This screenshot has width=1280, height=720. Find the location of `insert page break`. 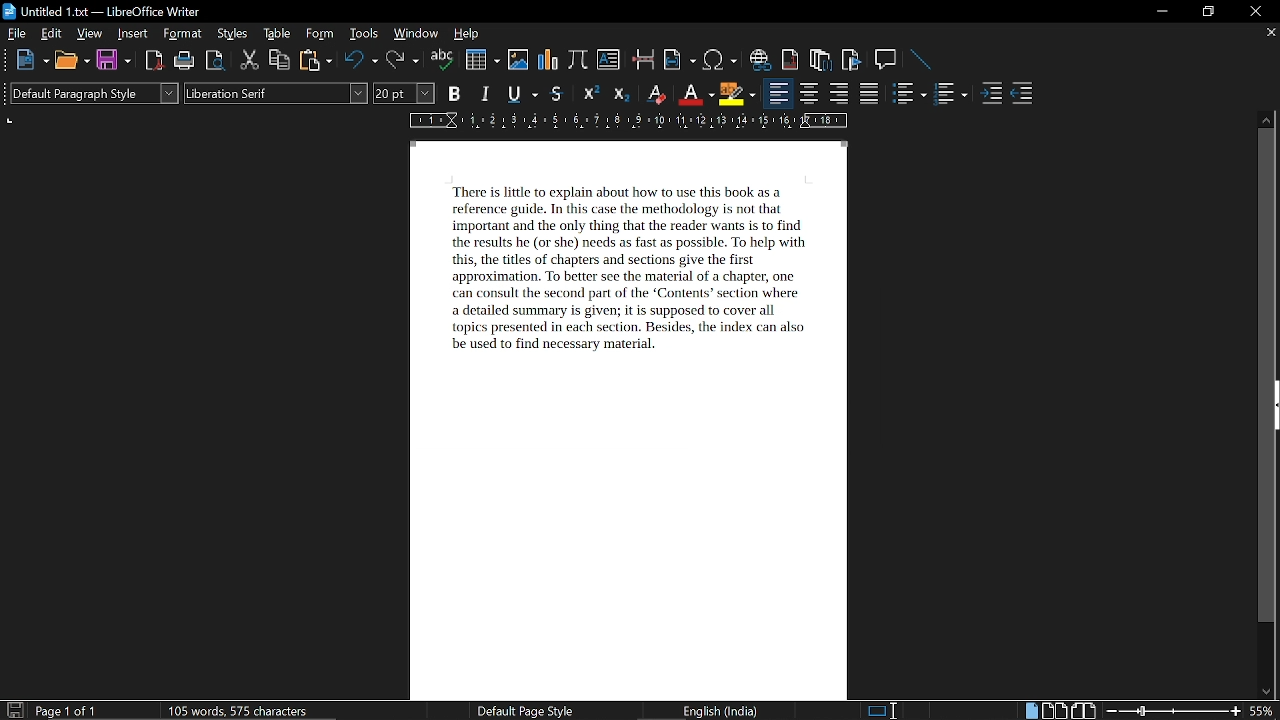

insert page break is located at coordinates (645, 59).